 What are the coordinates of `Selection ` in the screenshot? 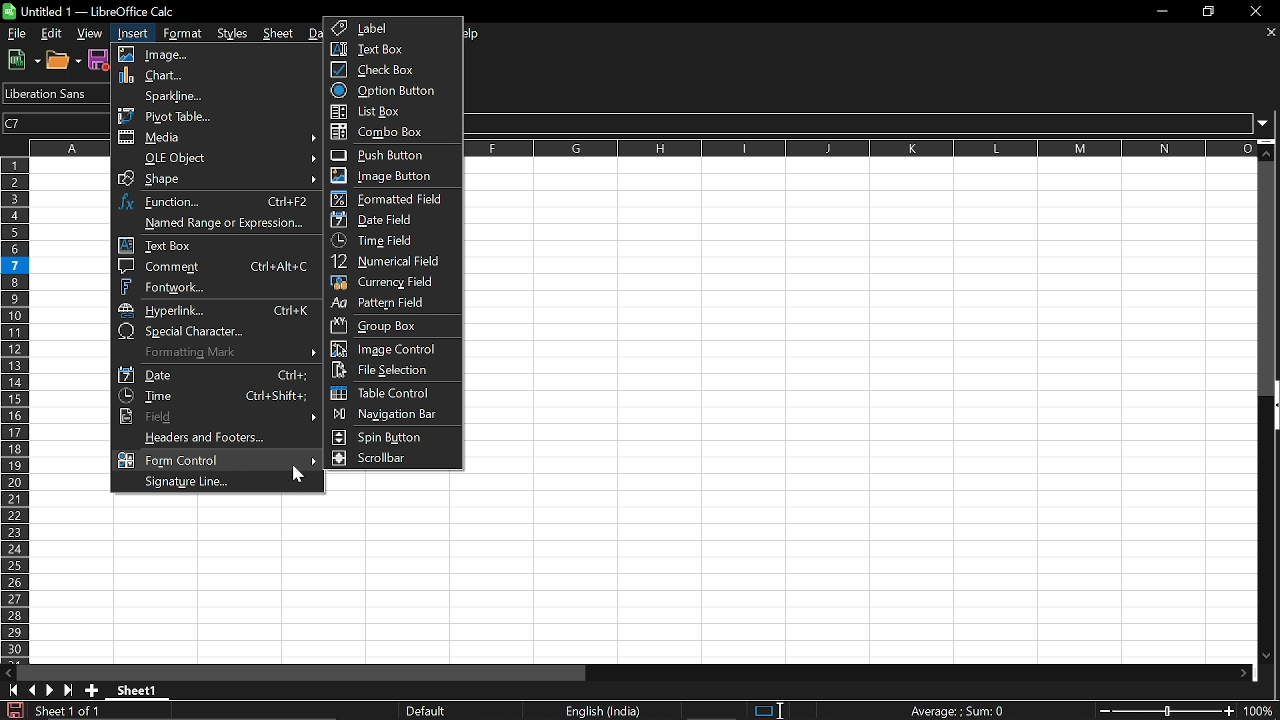 It's located at (762, 711).